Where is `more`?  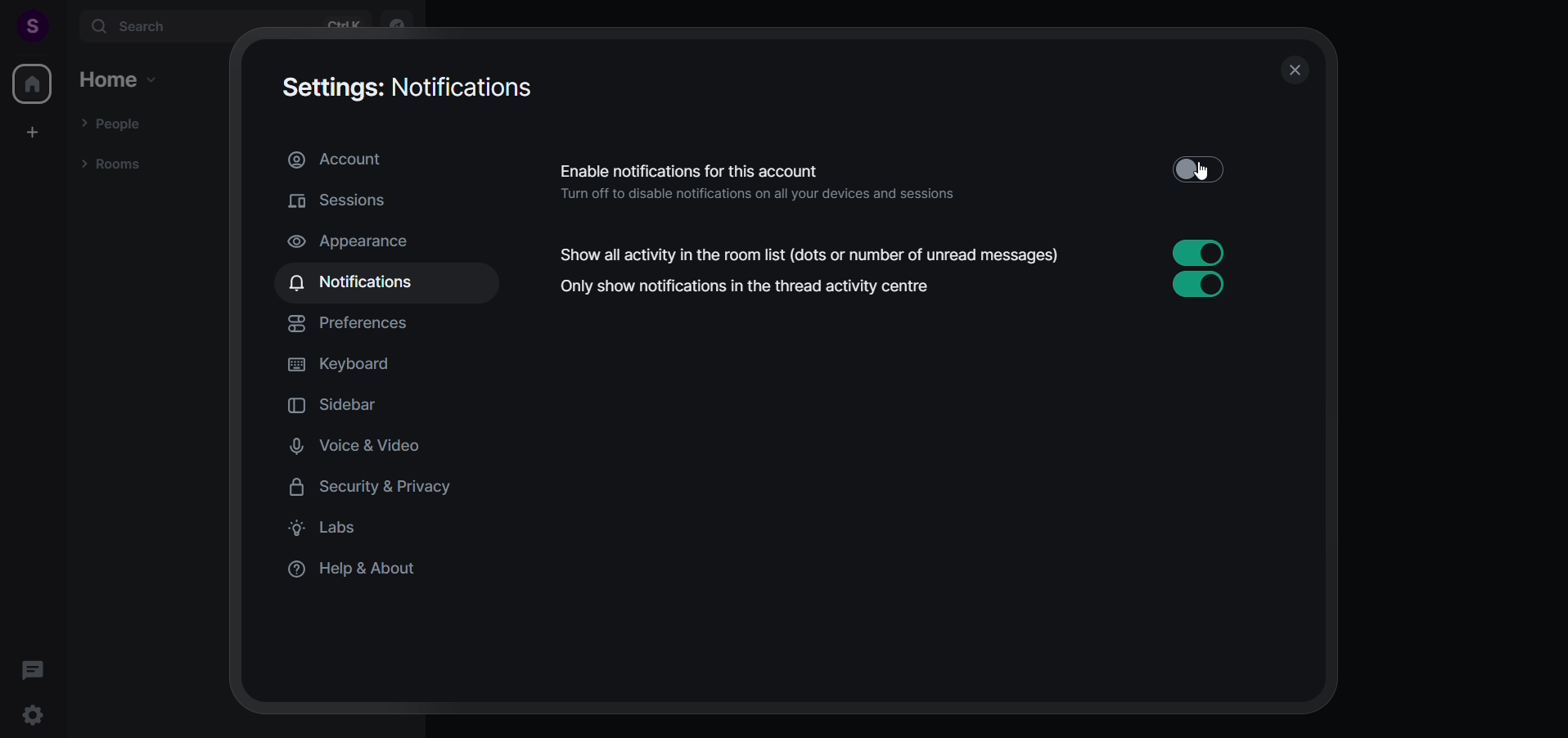
more is located at coordinates (66, 25).